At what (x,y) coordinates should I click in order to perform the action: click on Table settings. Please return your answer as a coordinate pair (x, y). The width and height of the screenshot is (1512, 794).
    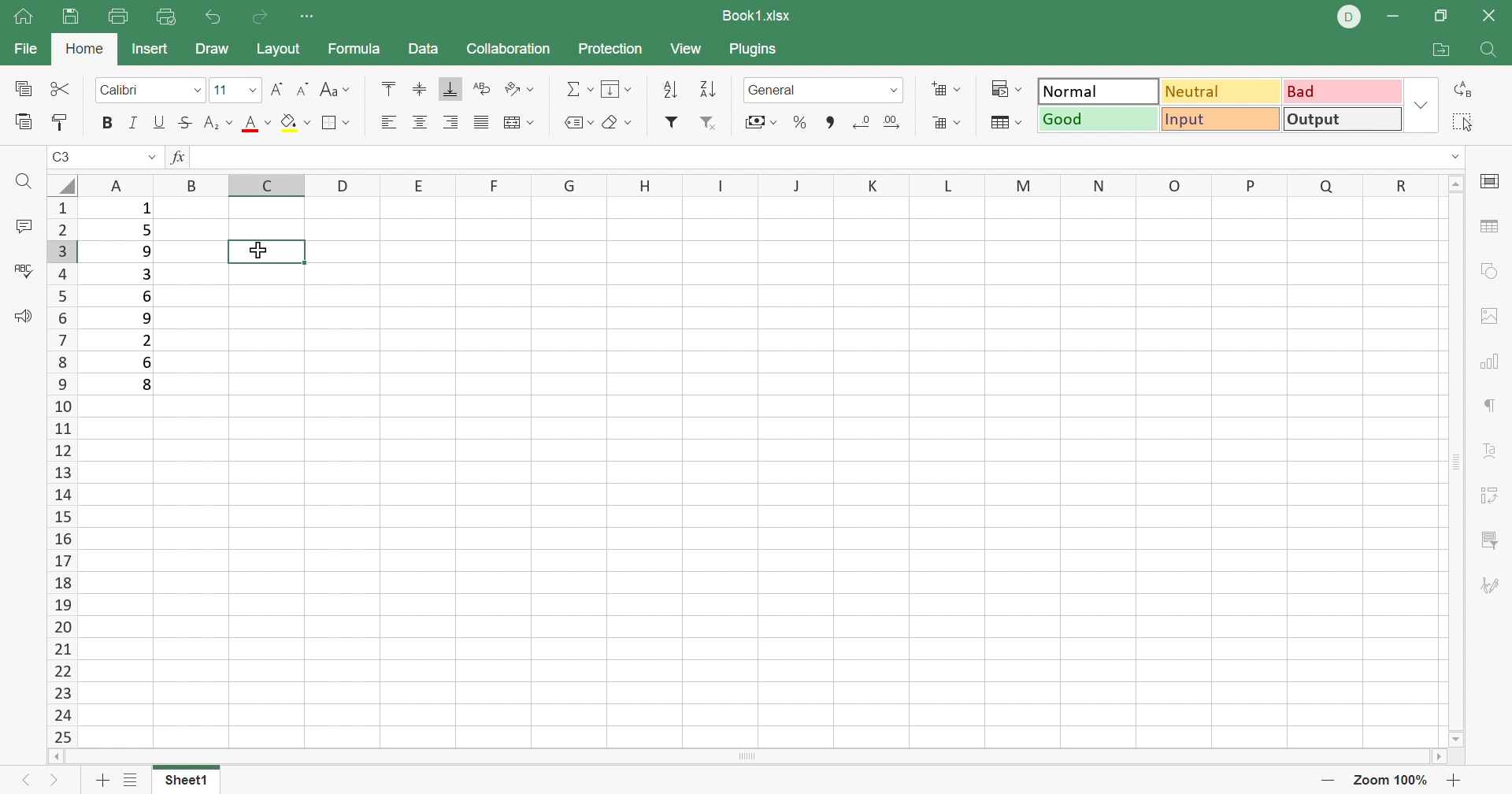
    Looking at the image, I should click on (1489, 226).